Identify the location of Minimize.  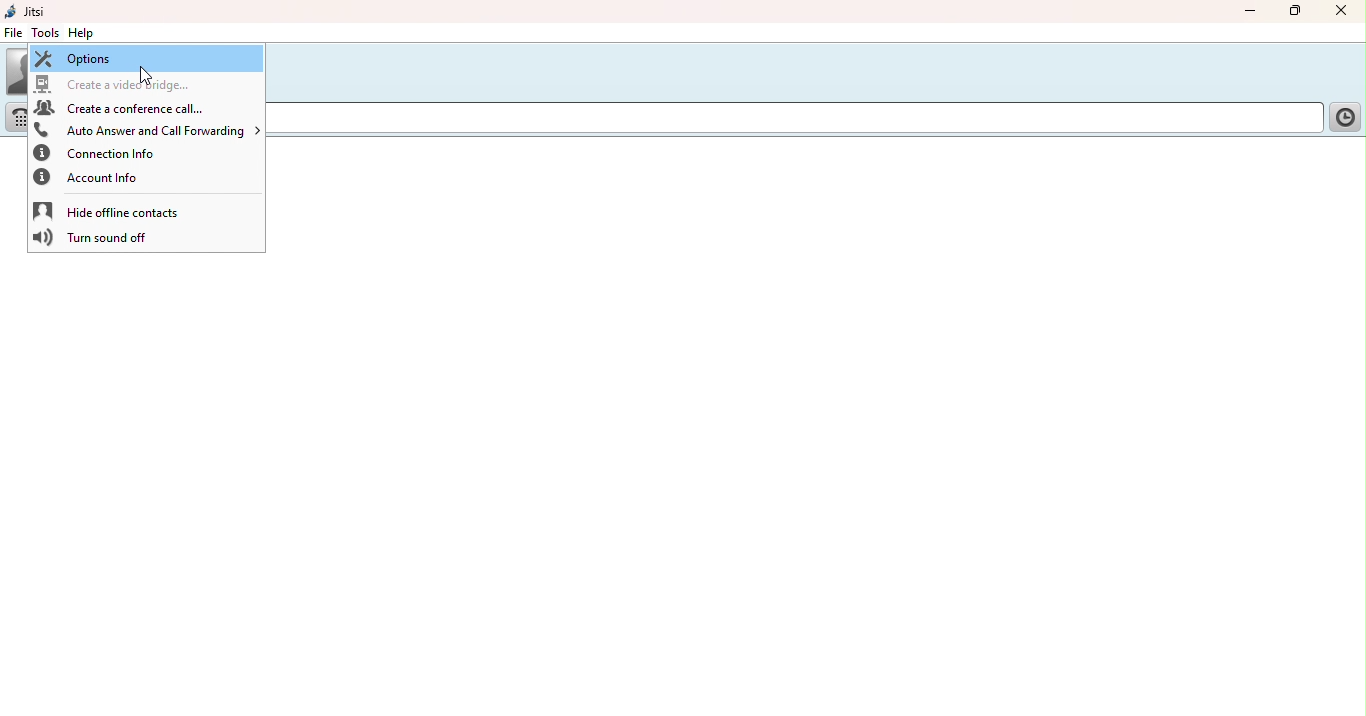
(1244, 10).